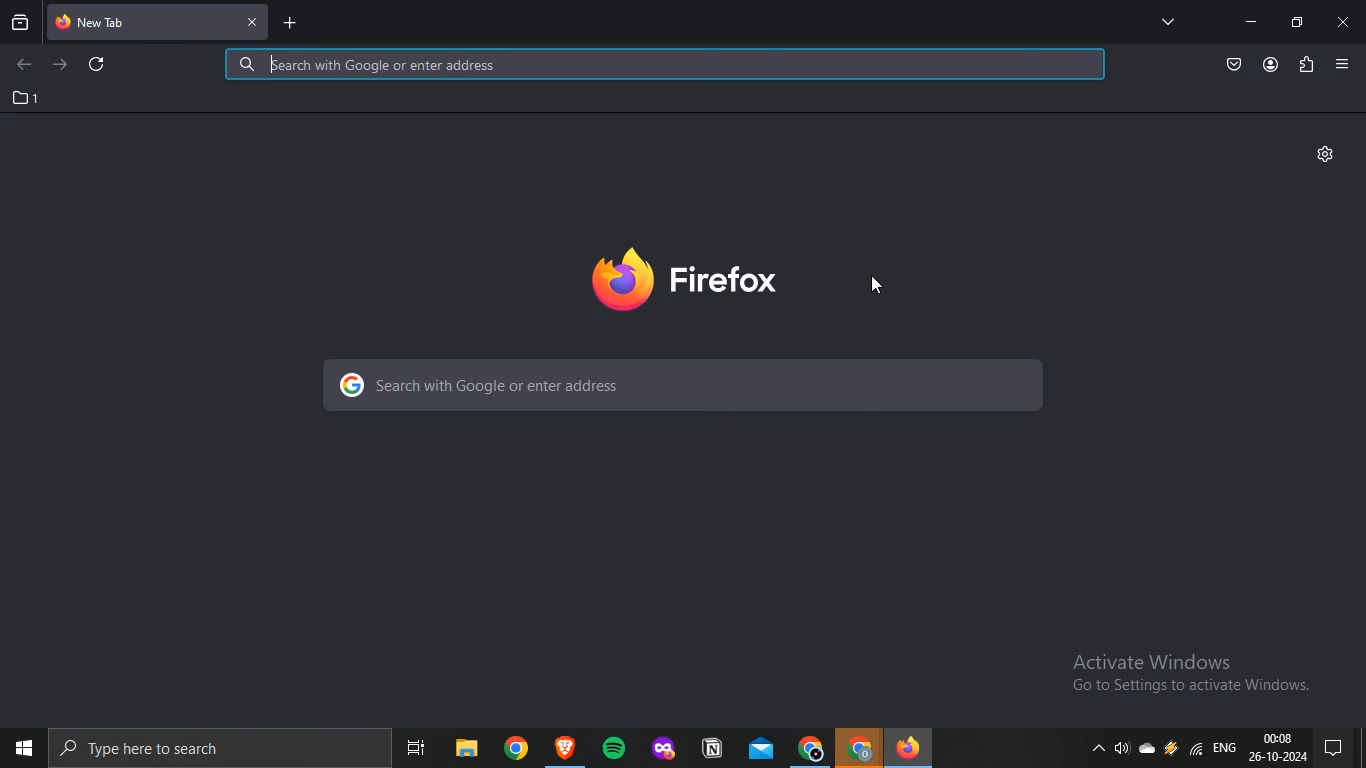  Describe the element at coordinates (1342, 747) in the screenshot. I see `pc settings menu` at that location.